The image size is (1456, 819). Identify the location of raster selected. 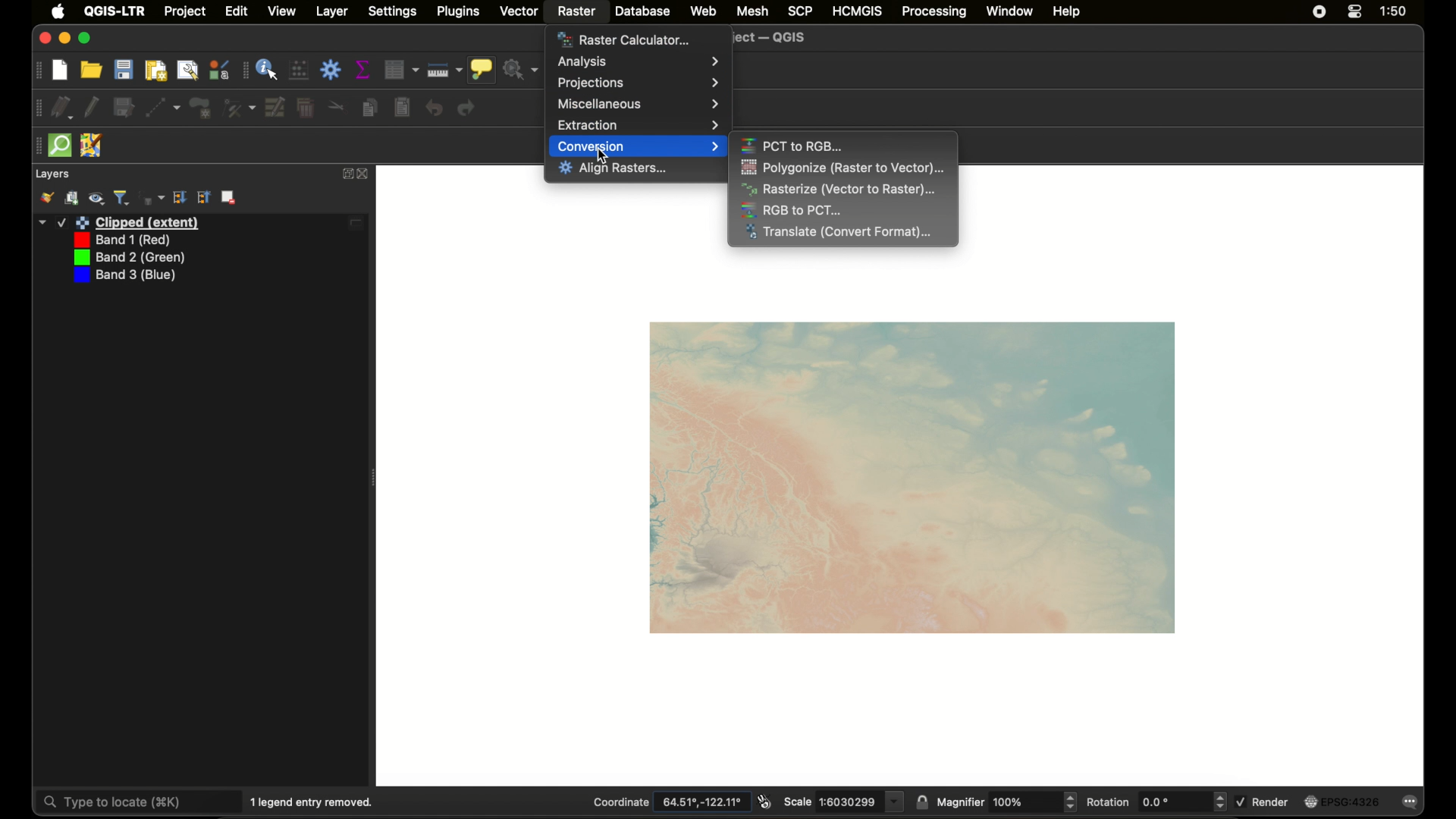
(577, 13).